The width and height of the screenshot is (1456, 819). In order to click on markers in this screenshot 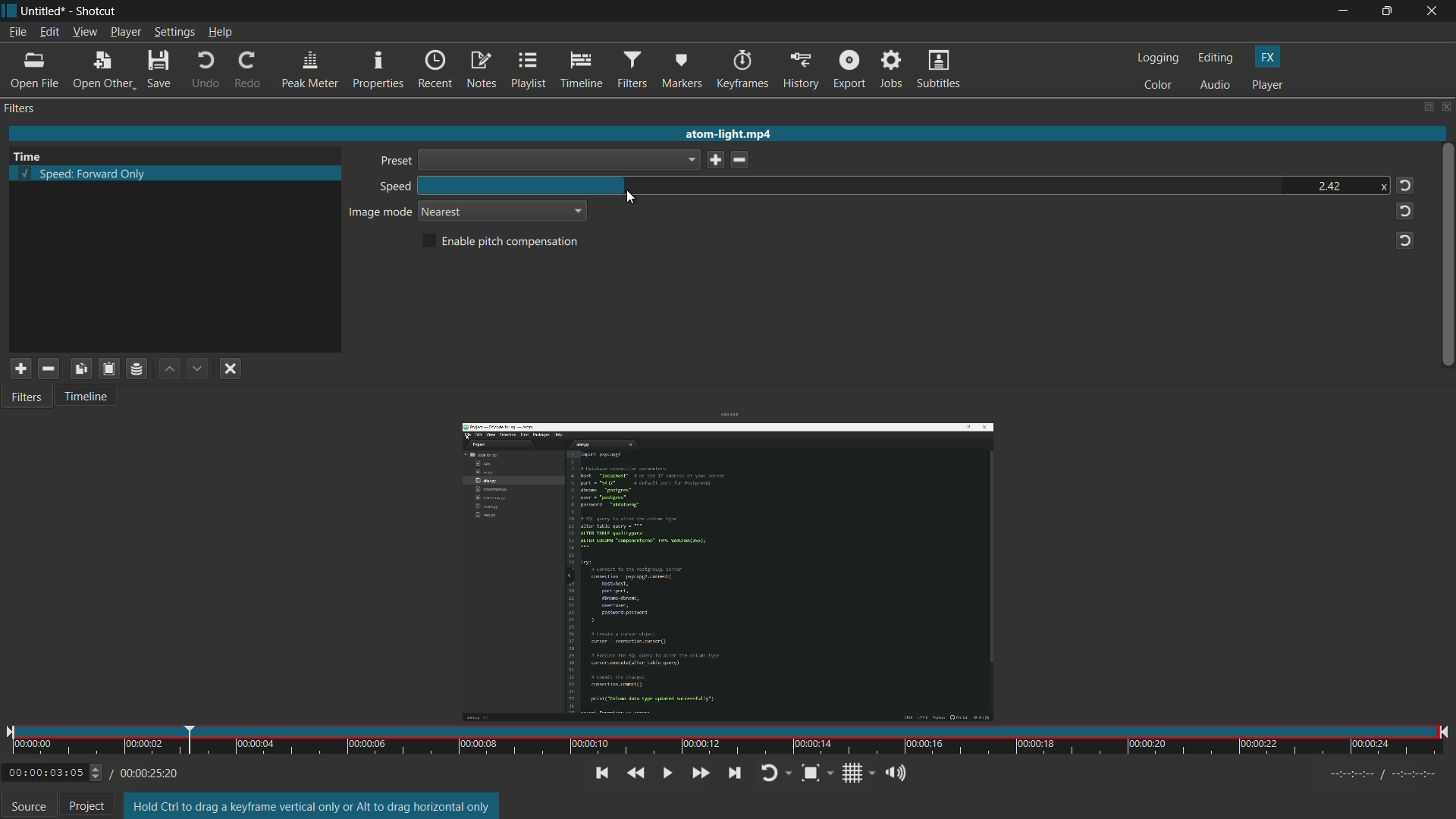, I will do `click(683, 71)`.